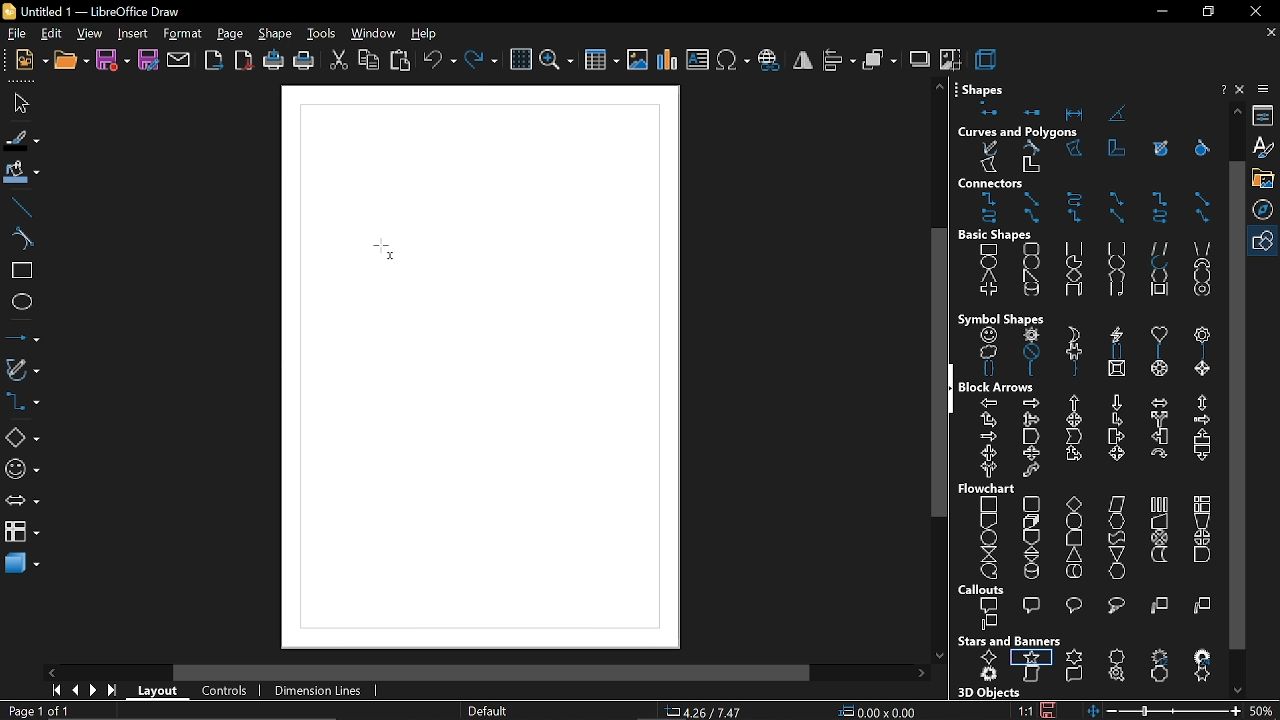 The height and width of the screenshot is (720, 1280). Describe the element at coordinates (1243, 89) in the screenshot. I see `close` at that location.